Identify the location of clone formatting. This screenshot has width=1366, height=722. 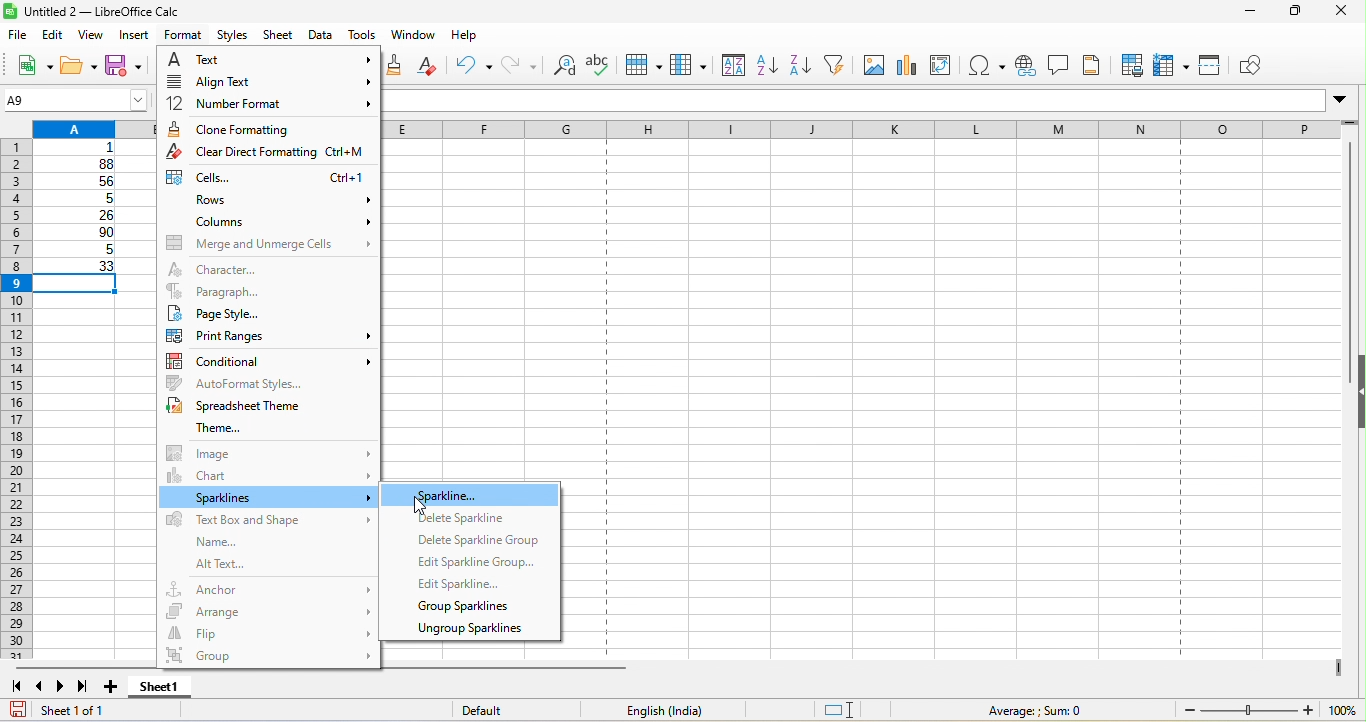
(266, 129).